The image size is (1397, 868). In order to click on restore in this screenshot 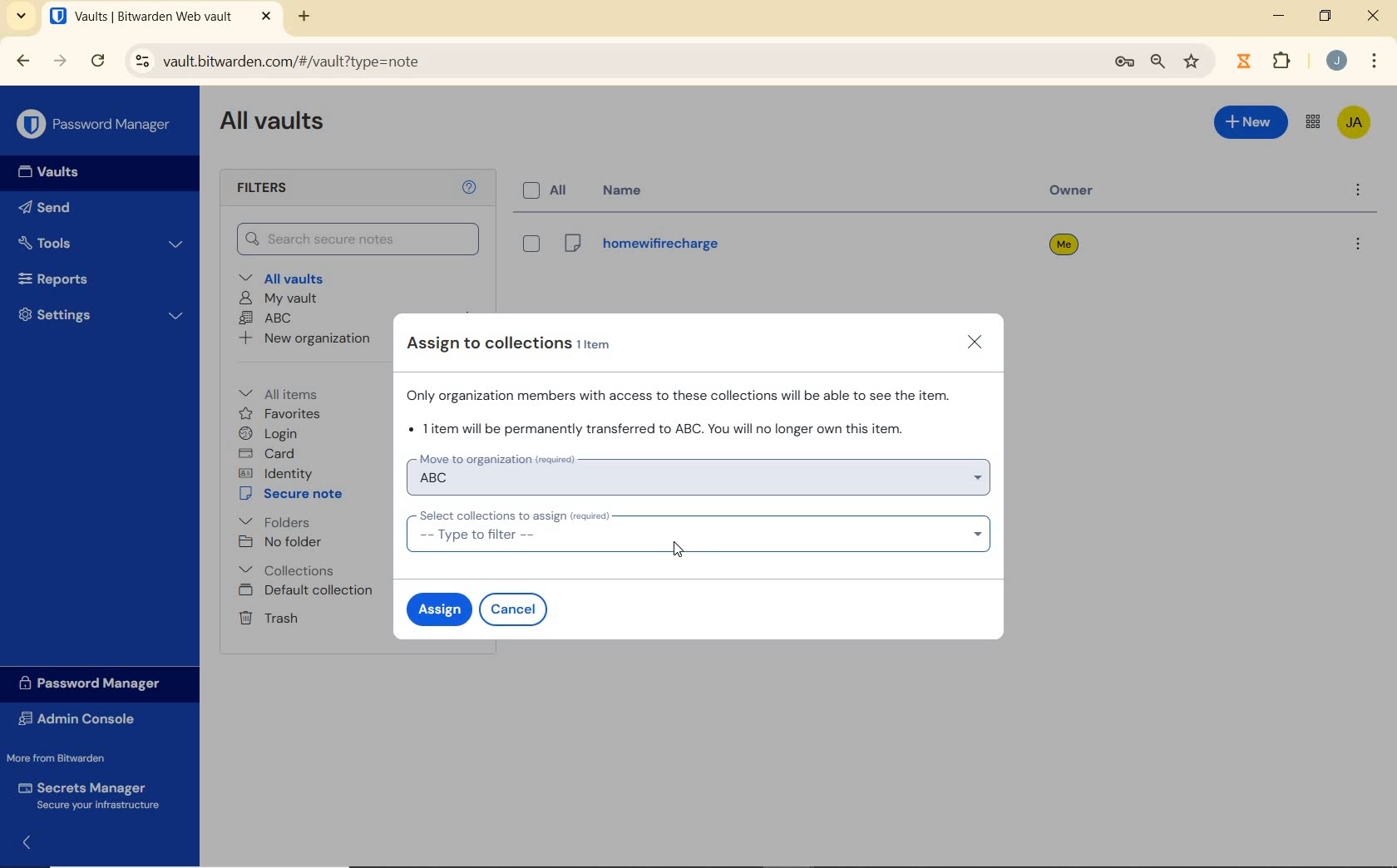, I will do `click(1325, 16)`.